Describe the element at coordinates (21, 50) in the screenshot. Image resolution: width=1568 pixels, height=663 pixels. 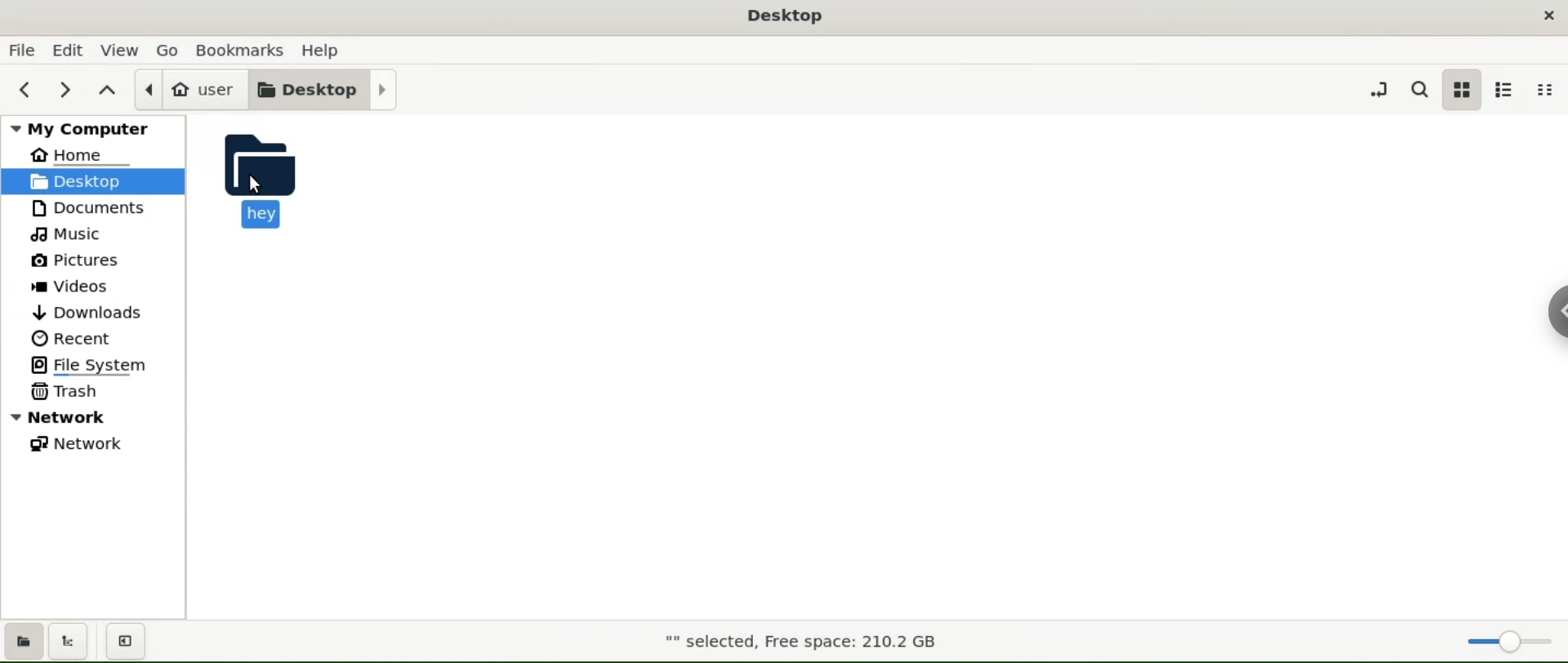
I see `file` at that location.